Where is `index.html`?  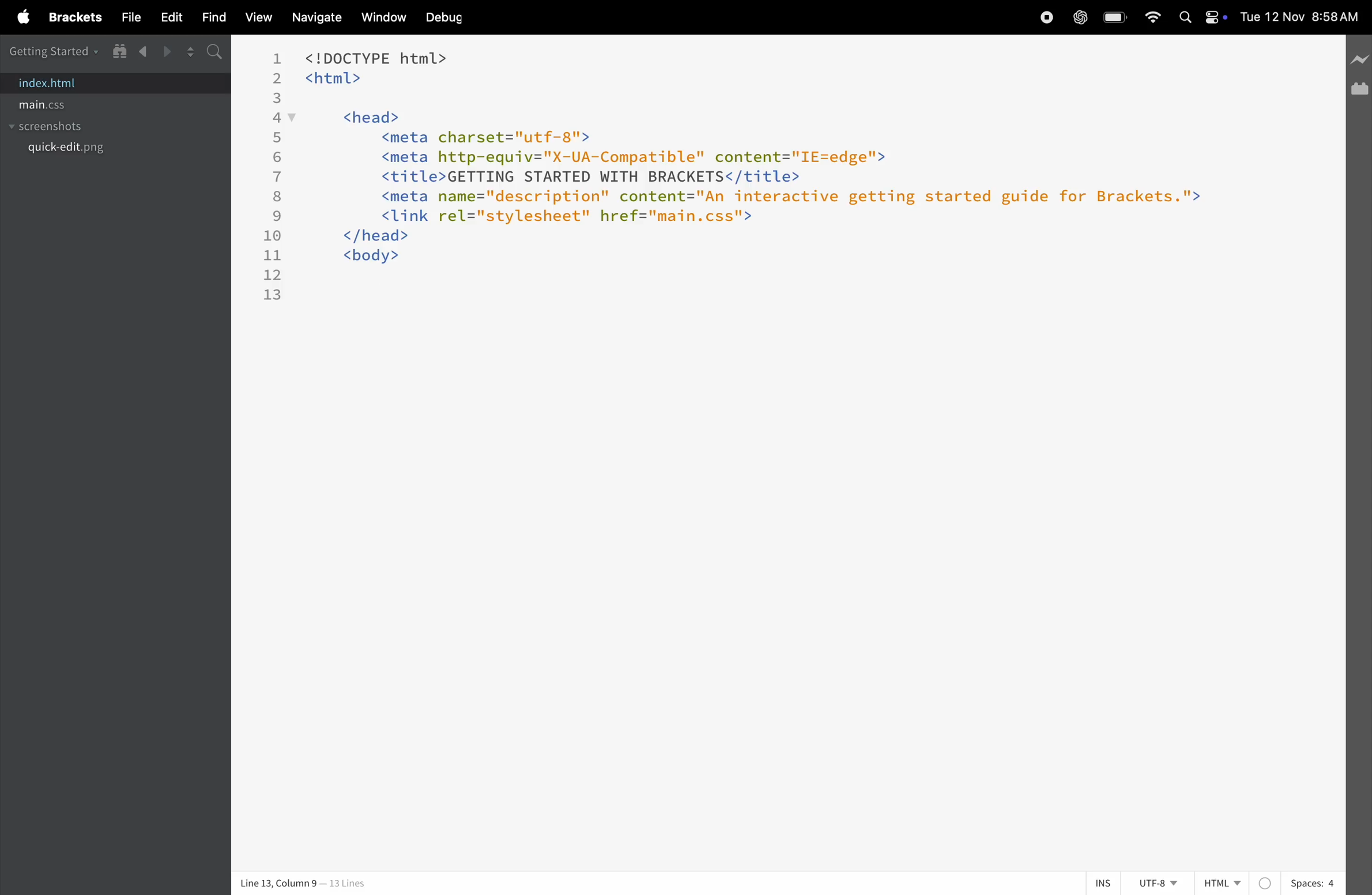
index.html is located at coordinates (52, 83).